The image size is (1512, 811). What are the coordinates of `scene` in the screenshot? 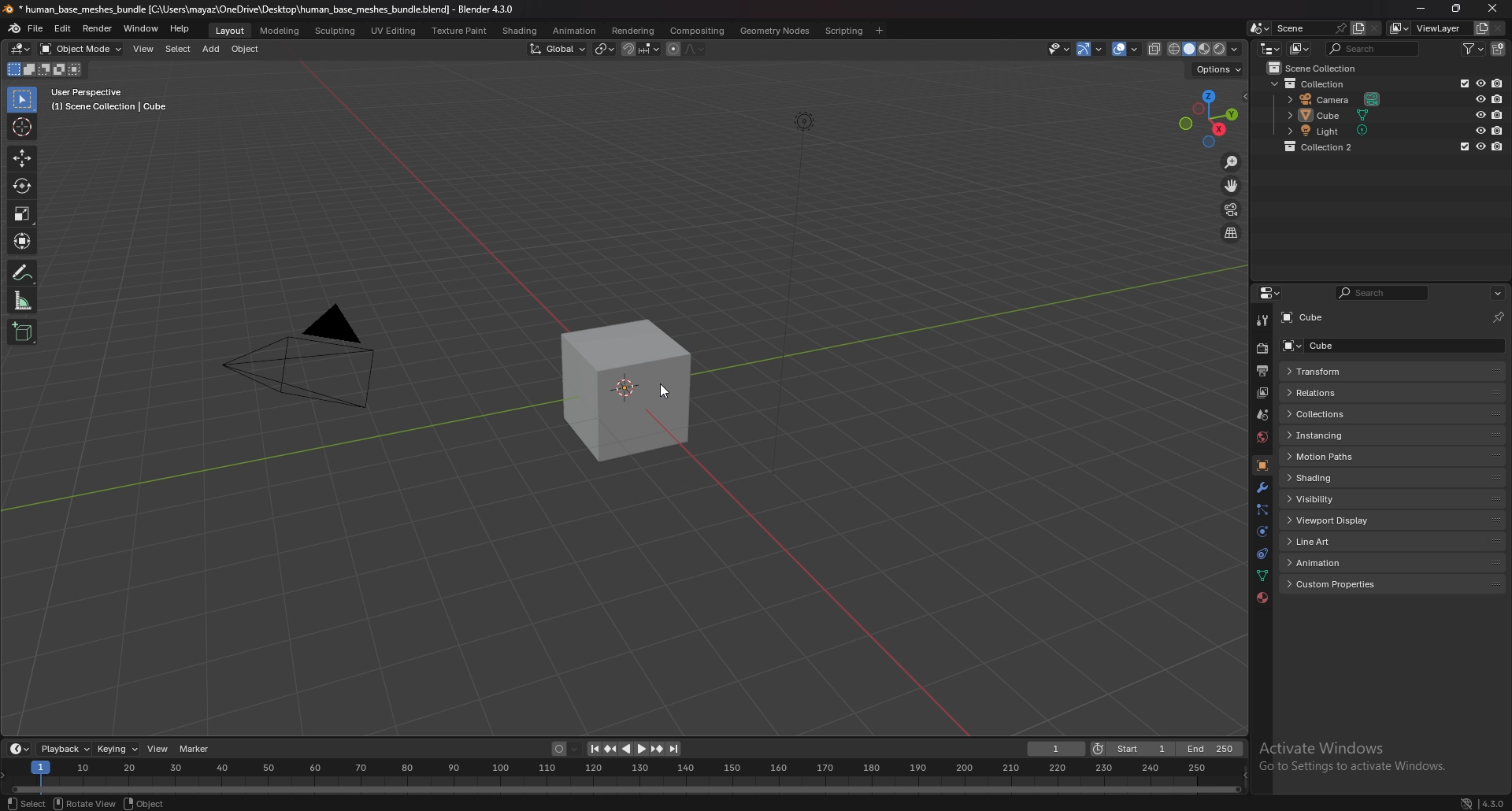 It's located at (1294, 28).